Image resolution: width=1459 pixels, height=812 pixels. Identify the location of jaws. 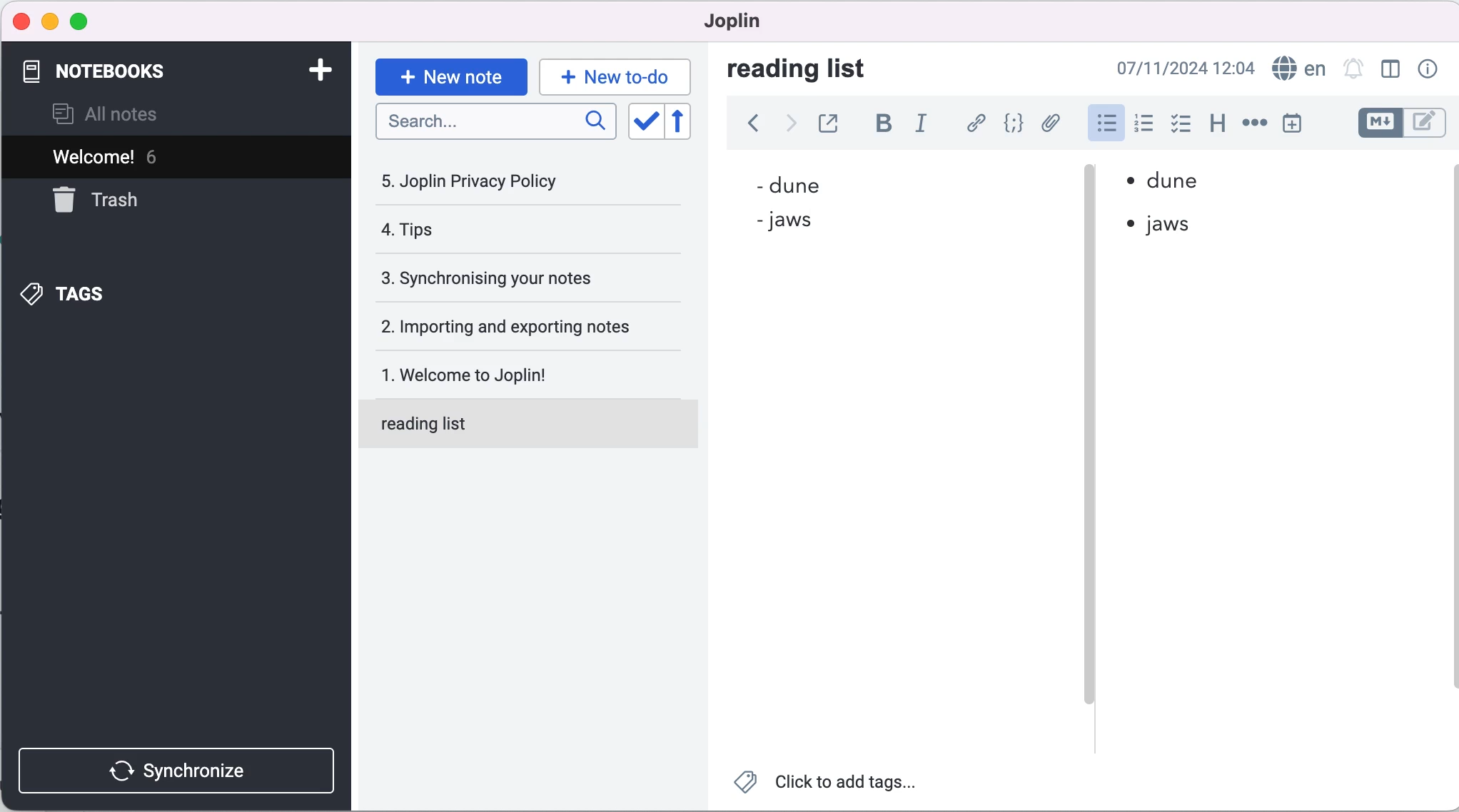
(1177, 225).